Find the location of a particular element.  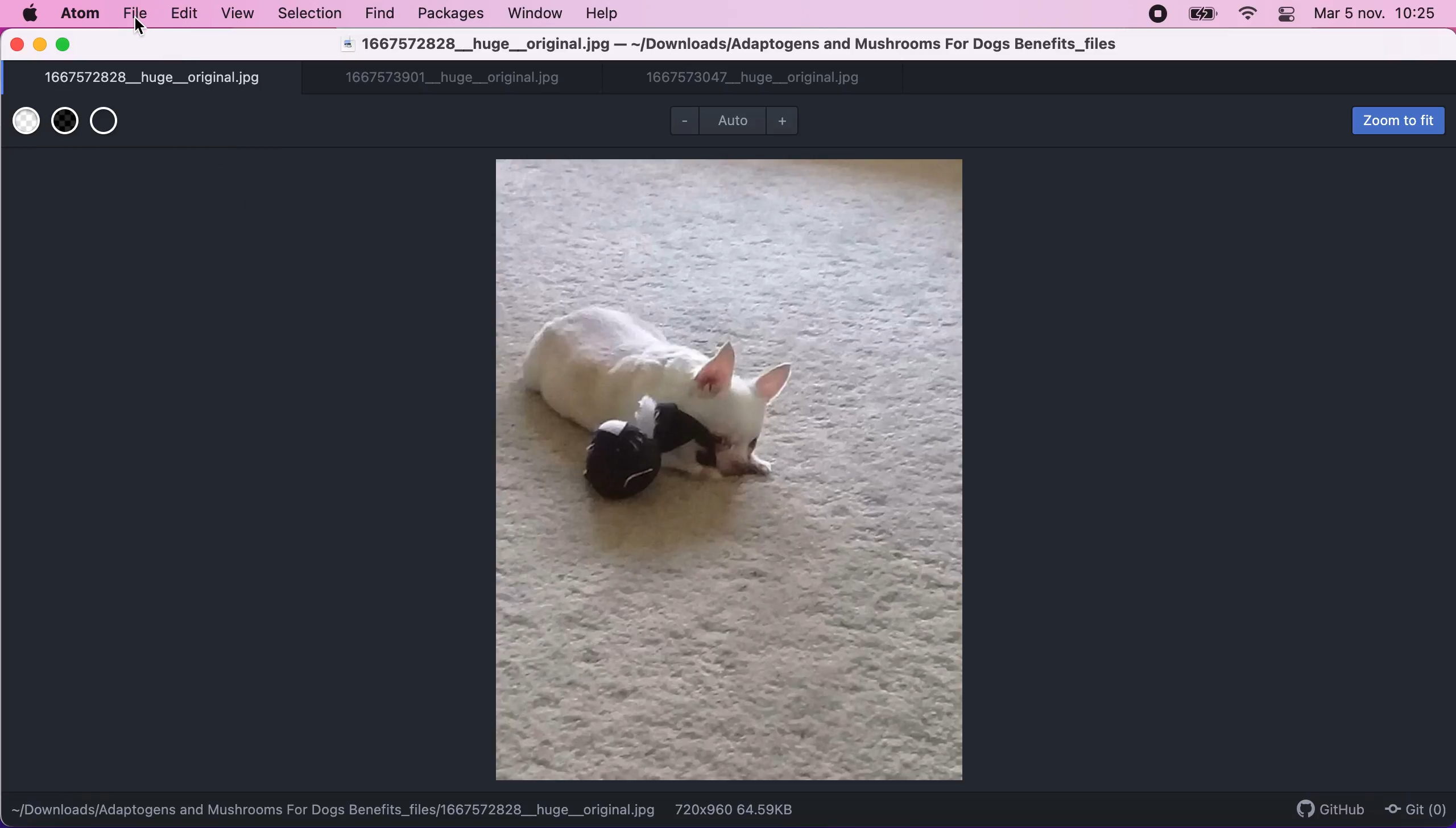

help is located at coordinates (604, 14).